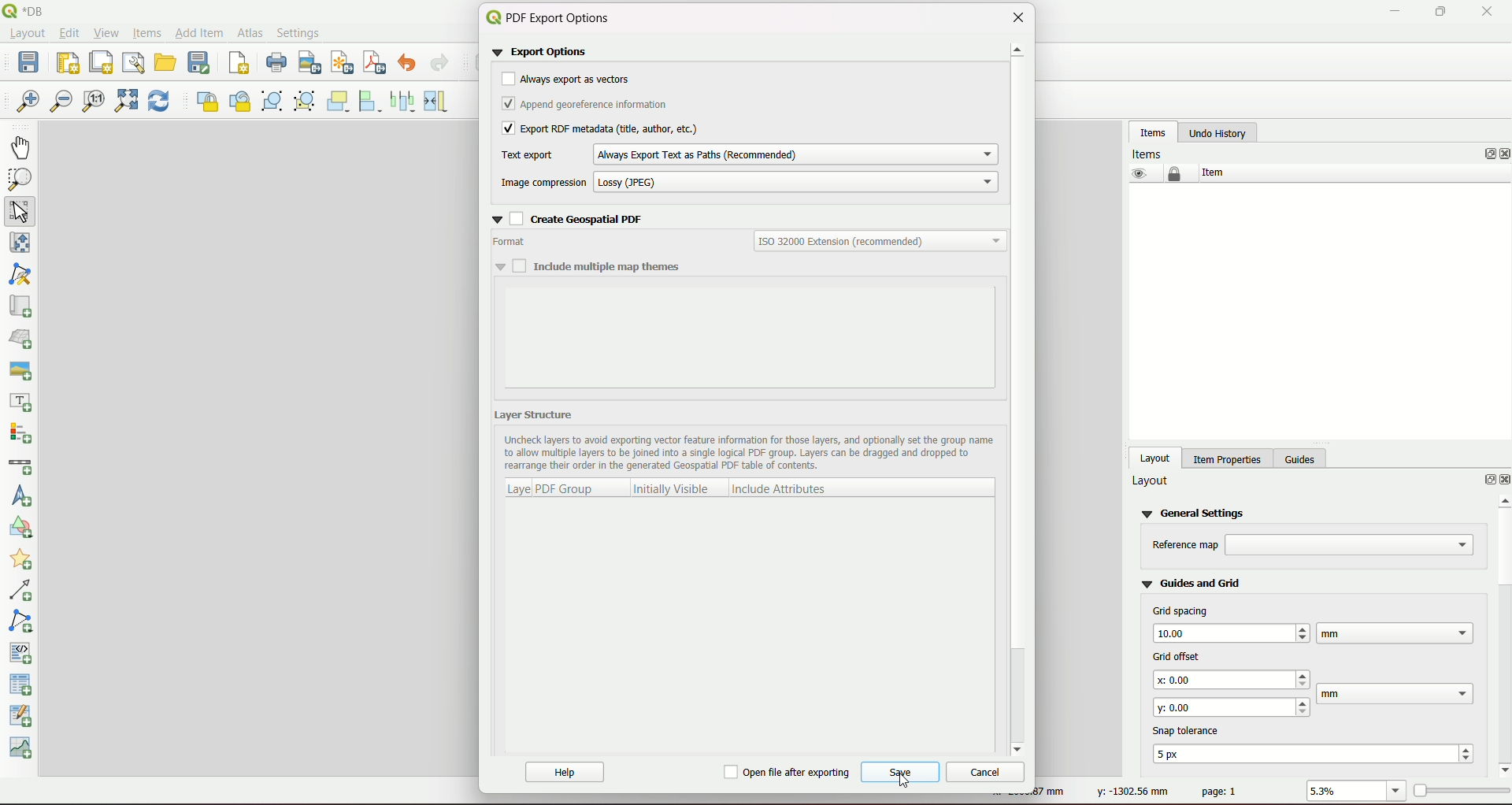  I want to click on add pages, so click(238, 65).